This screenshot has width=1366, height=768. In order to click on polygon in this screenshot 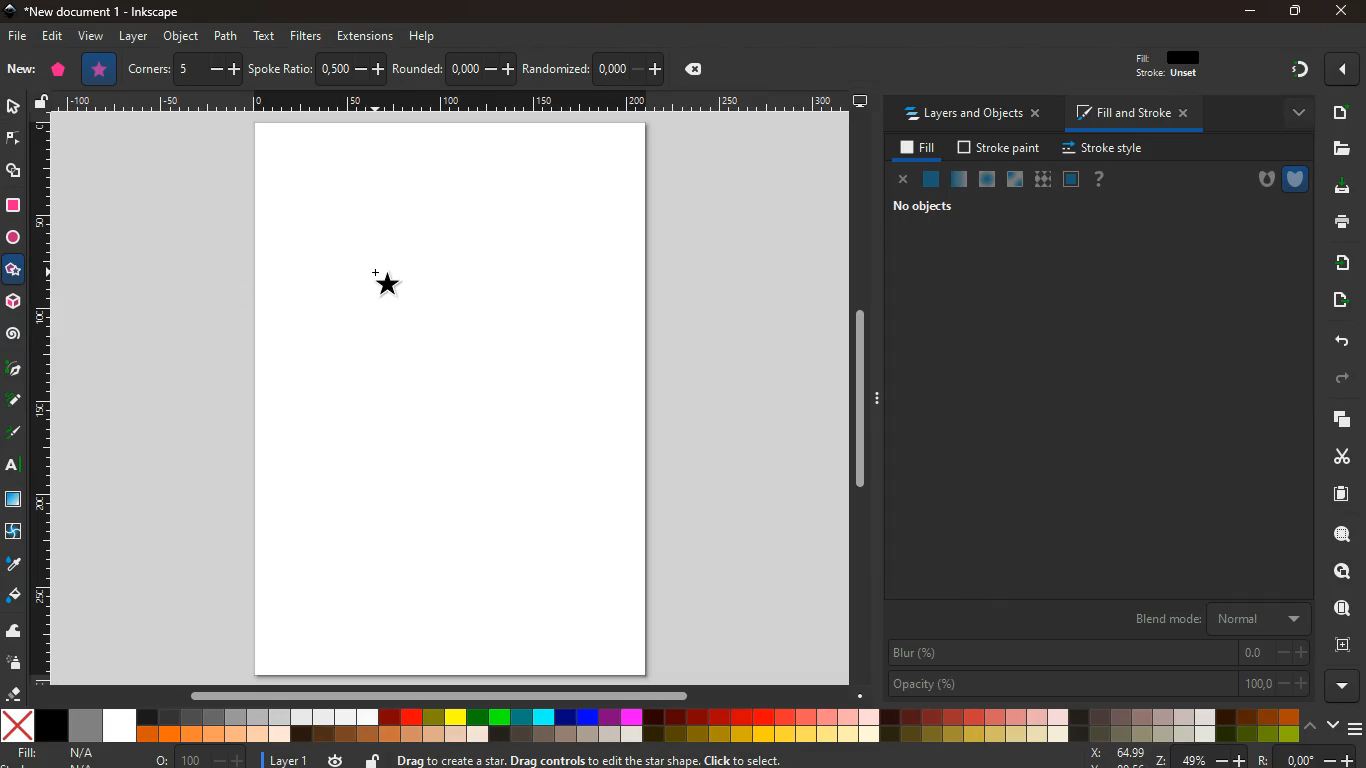, I will do `click(59, 71)`.